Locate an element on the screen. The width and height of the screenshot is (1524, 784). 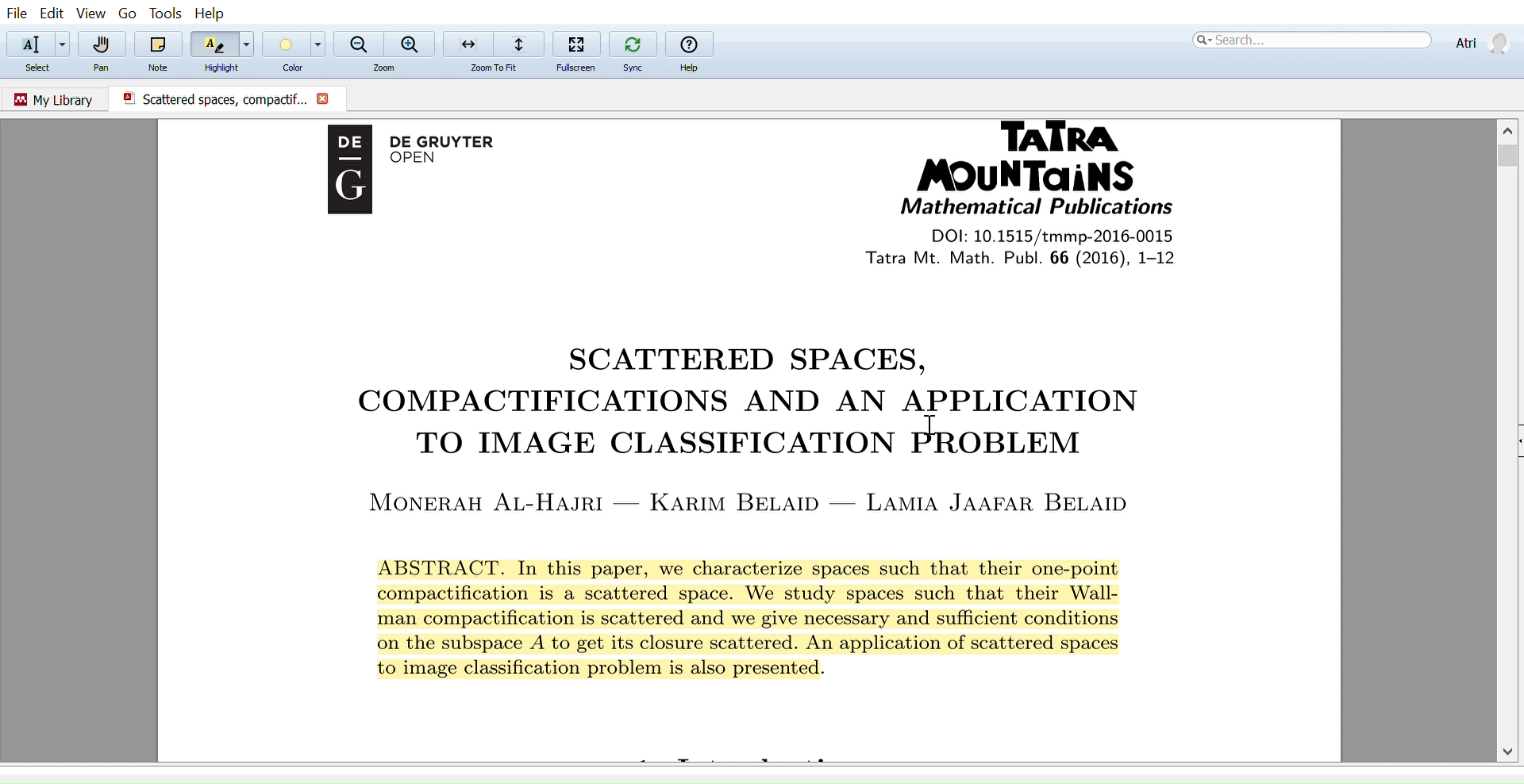
tatra Mt. Math Publi. 66 (2016), 1-12  is located at coordinates (1054, 258).